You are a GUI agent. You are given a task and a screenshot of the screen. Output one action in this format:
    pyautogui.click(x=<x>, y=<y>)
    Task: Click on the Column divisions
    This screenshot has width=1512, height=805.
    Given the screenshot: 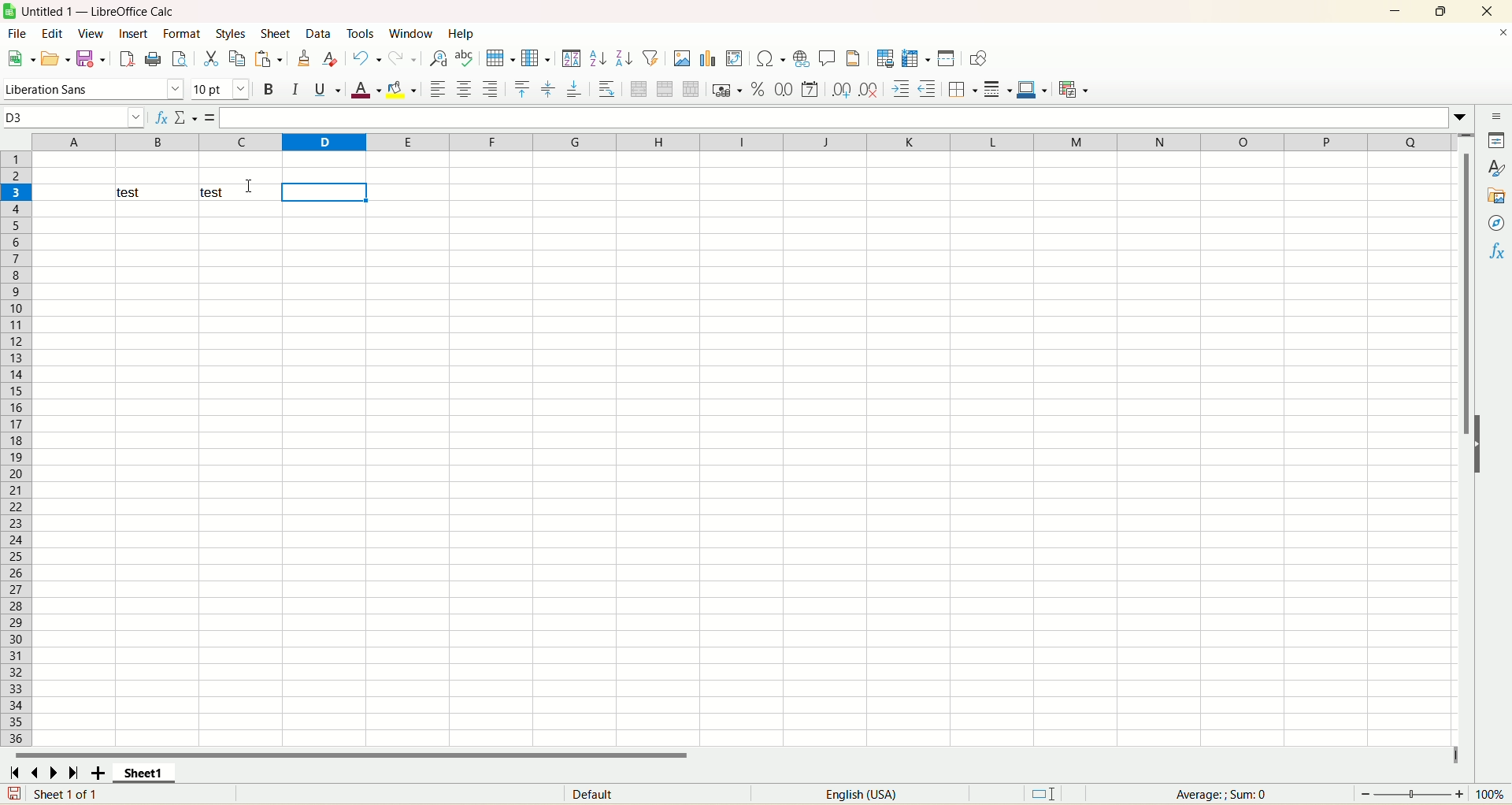 What is the action you would take?
    pyautogui.click(x=157, y=142)
    